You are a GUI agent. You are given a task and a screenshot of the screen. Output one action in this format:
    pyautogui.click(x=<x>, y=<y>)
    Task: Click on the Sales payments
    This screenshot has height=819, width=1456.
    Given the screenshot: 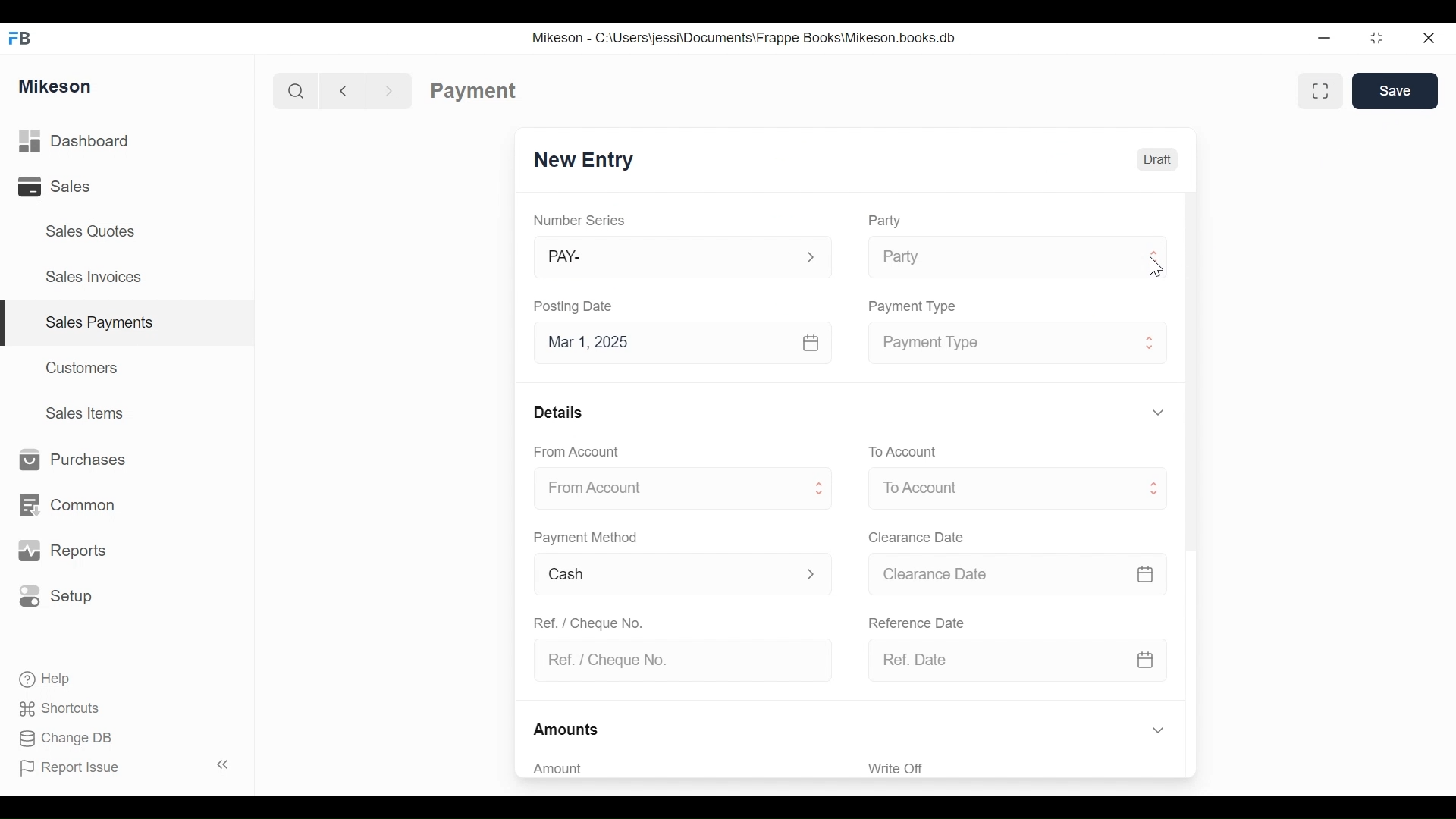 What is the action you would take?
    pyautogui.click(x=102, y=322)
    